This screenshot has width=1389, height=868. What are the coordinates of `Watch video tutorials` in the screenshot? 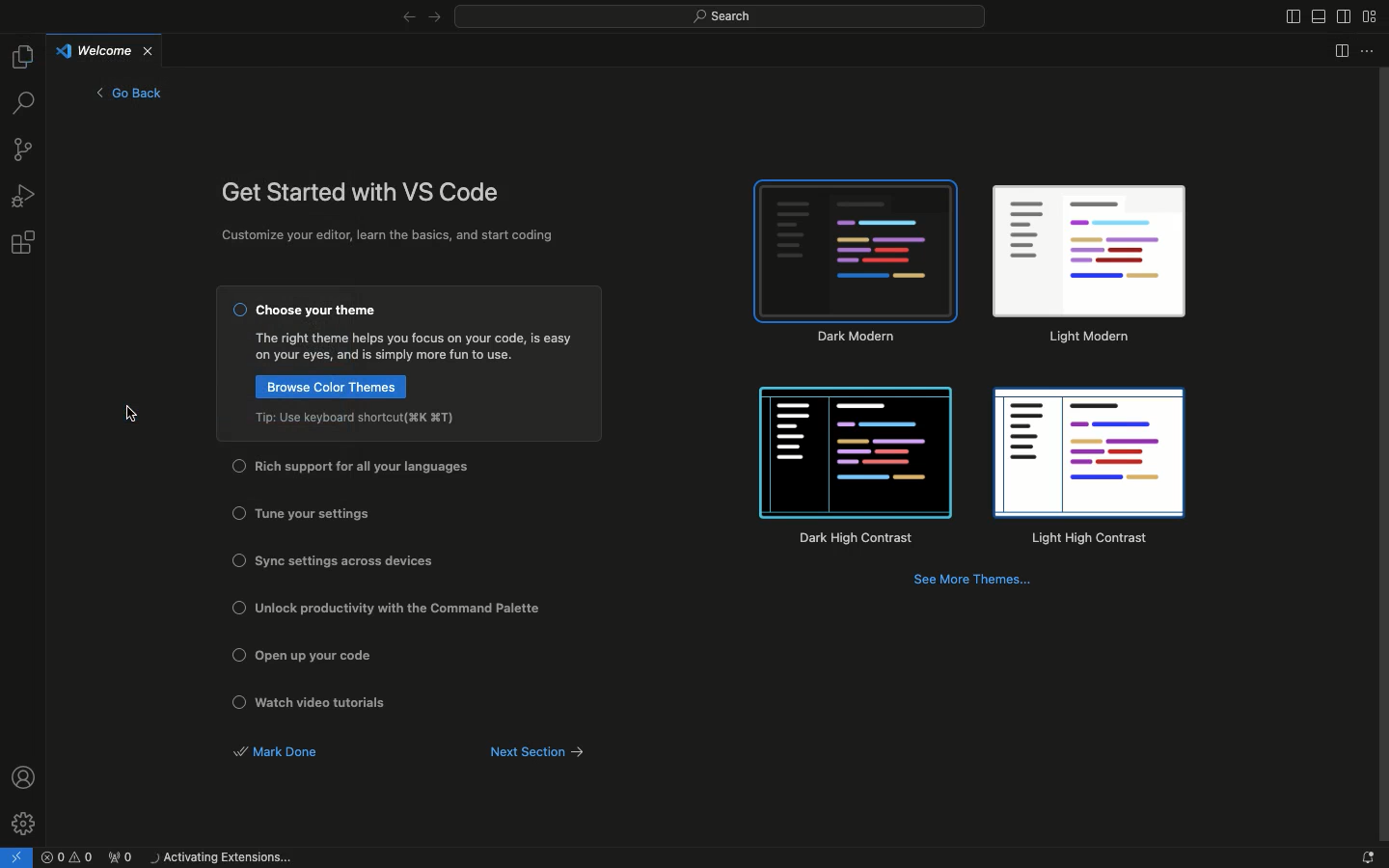 It's located at (329, 703).